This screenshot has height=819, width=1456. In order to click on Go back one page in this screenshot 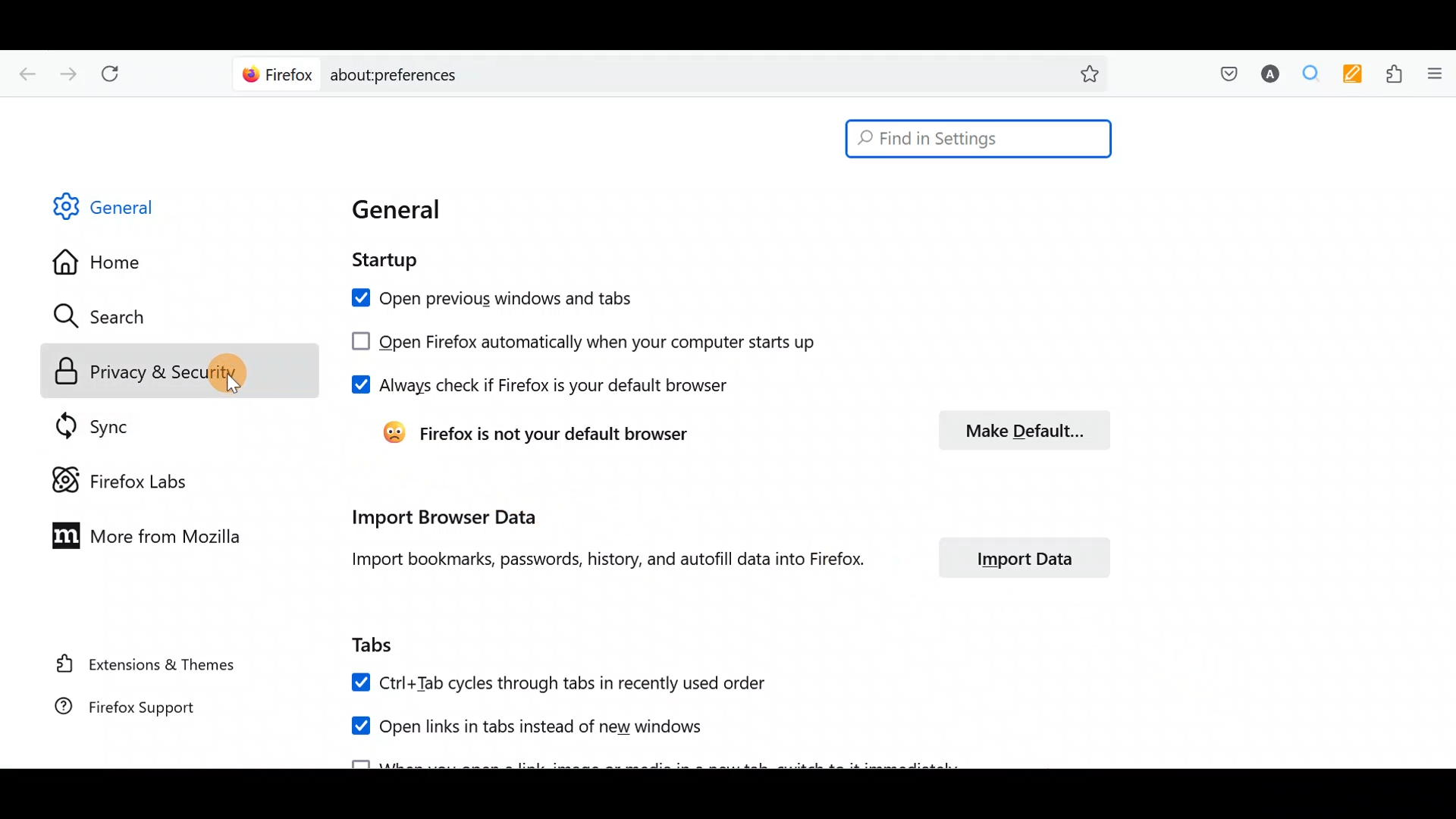, I will do `click(24, 72)`.